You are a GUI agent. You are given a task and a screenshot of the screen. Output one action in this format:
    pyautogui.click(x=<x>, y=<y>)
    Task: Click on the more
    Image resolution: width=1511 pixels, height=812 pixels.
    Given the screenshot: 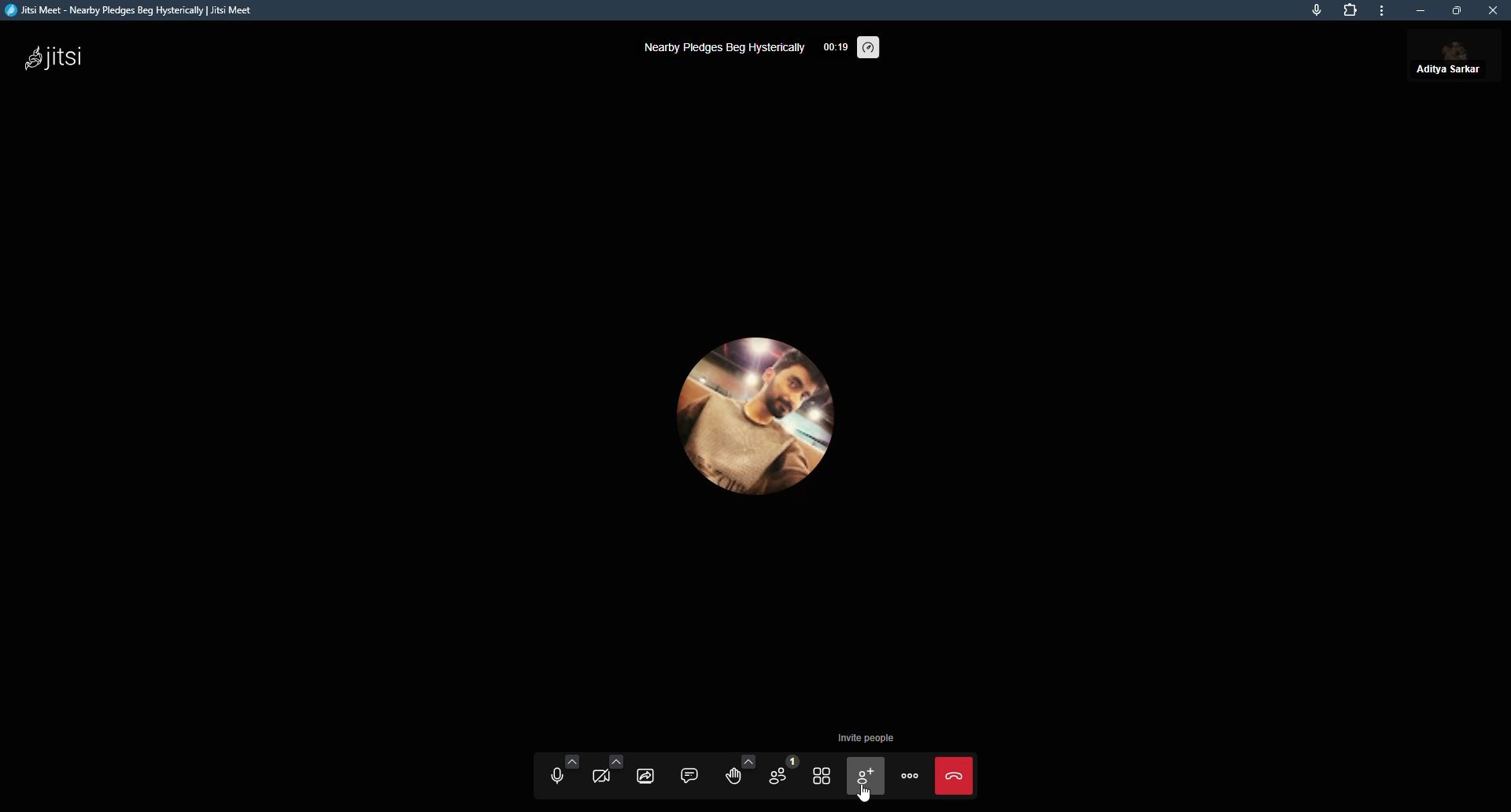 What is the action you would take?
    pyautogui.click(x=1381, y=10)
    